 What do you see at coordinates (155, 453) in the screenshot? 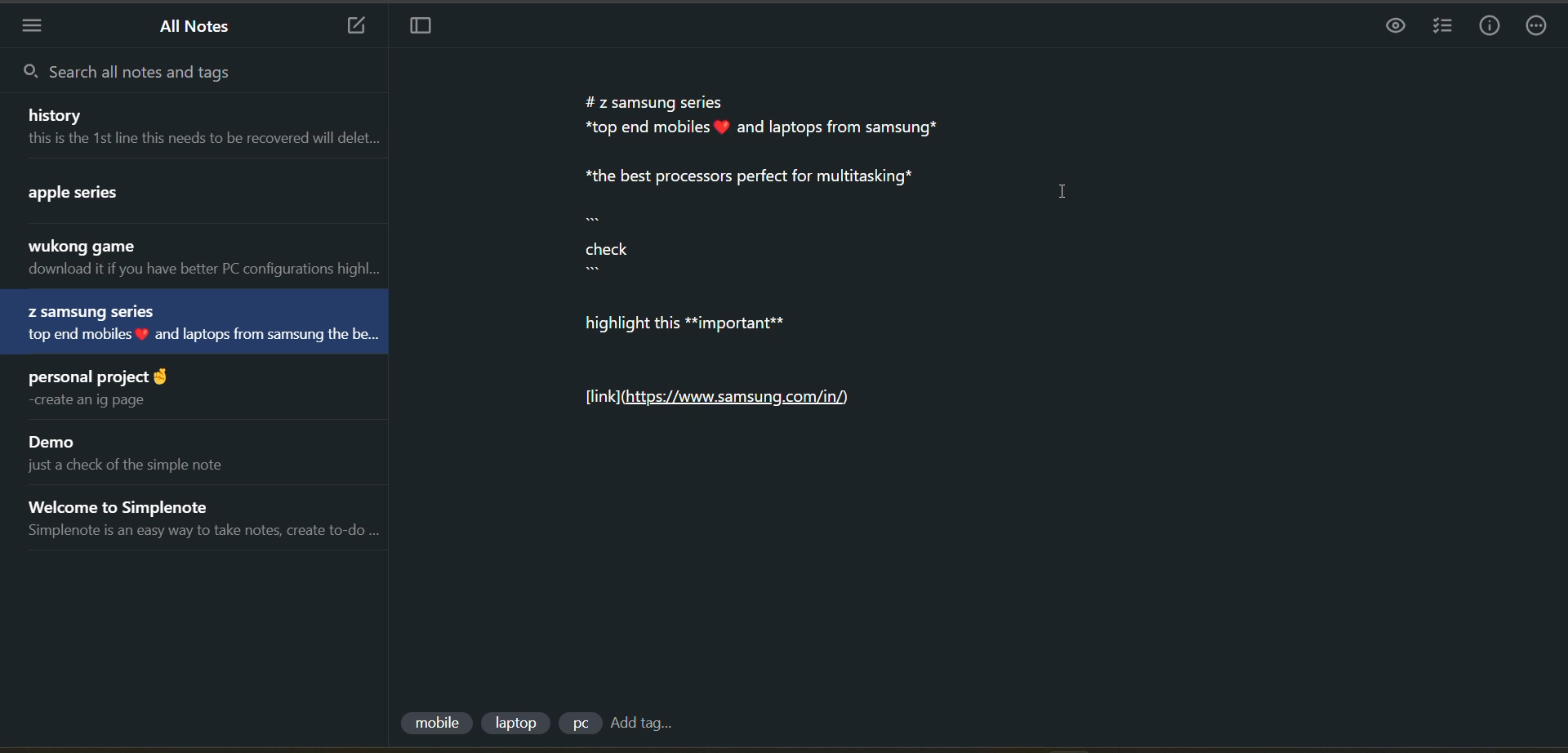
I see `note title and preview` at bounding box center [155, 453].